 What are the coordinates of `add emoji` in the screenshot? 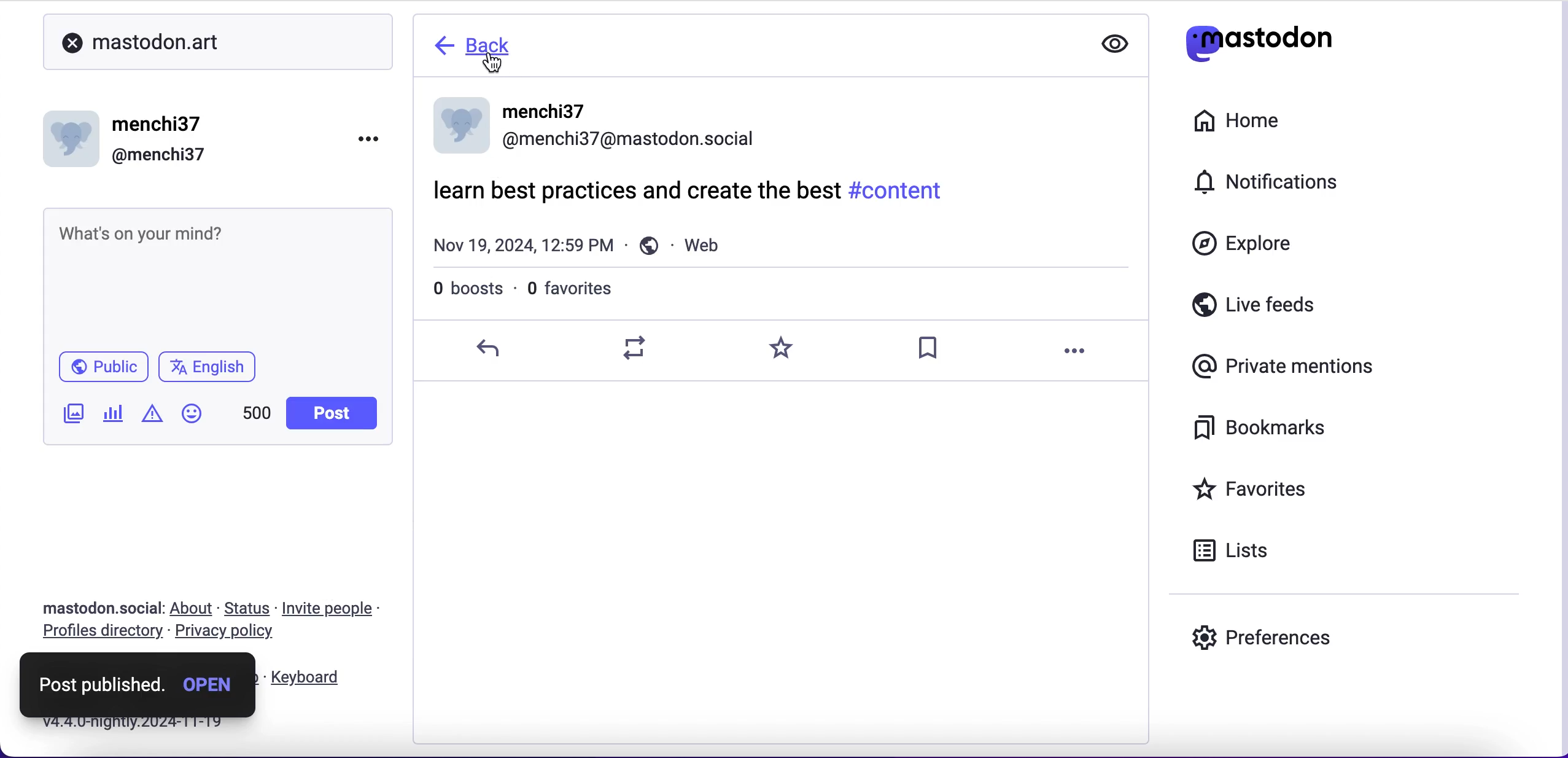 It's located at (192, 419).